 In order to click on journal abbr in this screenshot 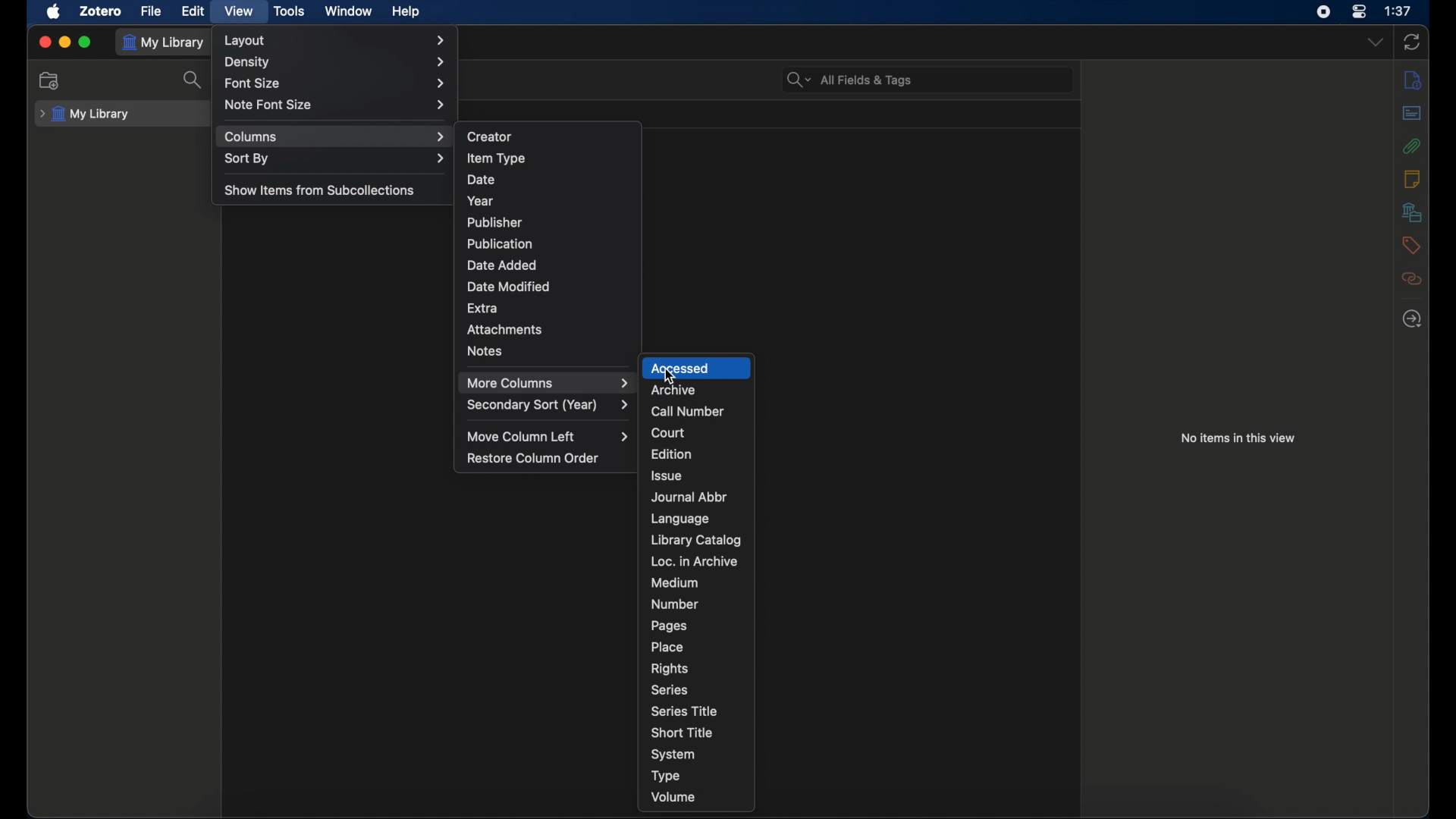, I will do `click(688, 497)`.